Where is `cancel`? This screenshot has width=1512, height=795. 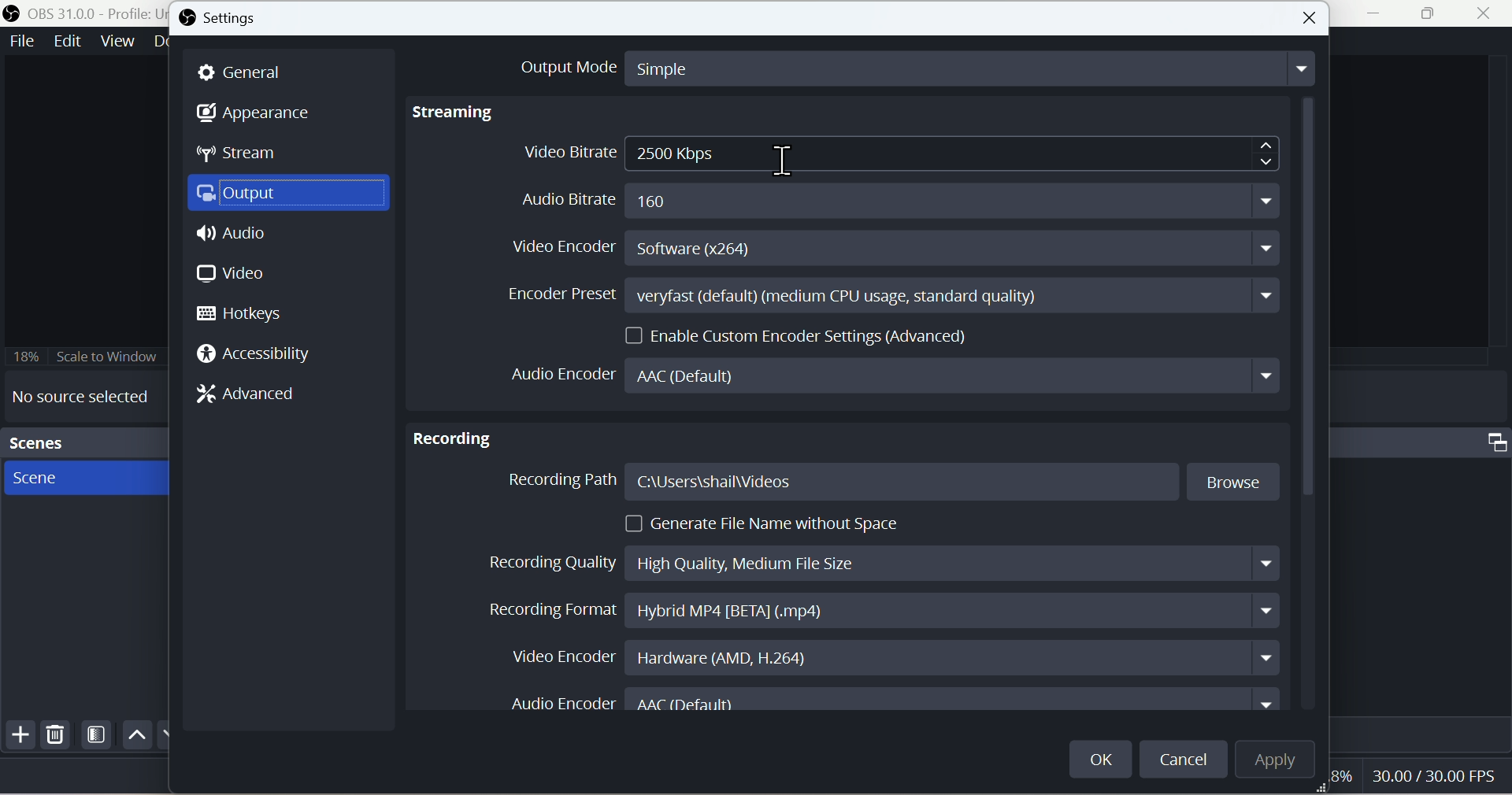 cancel is located at coordinates (1186, 758).